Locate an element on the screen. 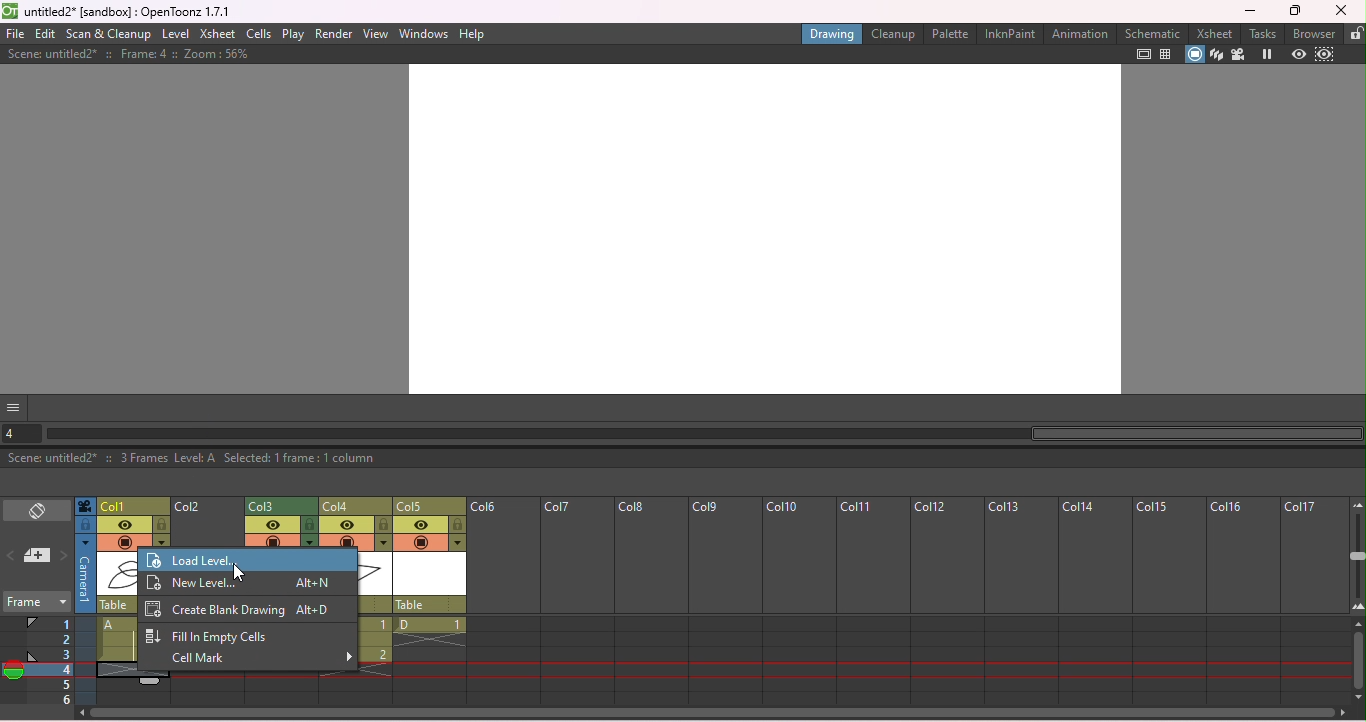  Zoom out is located at coordinates (1356, 504).